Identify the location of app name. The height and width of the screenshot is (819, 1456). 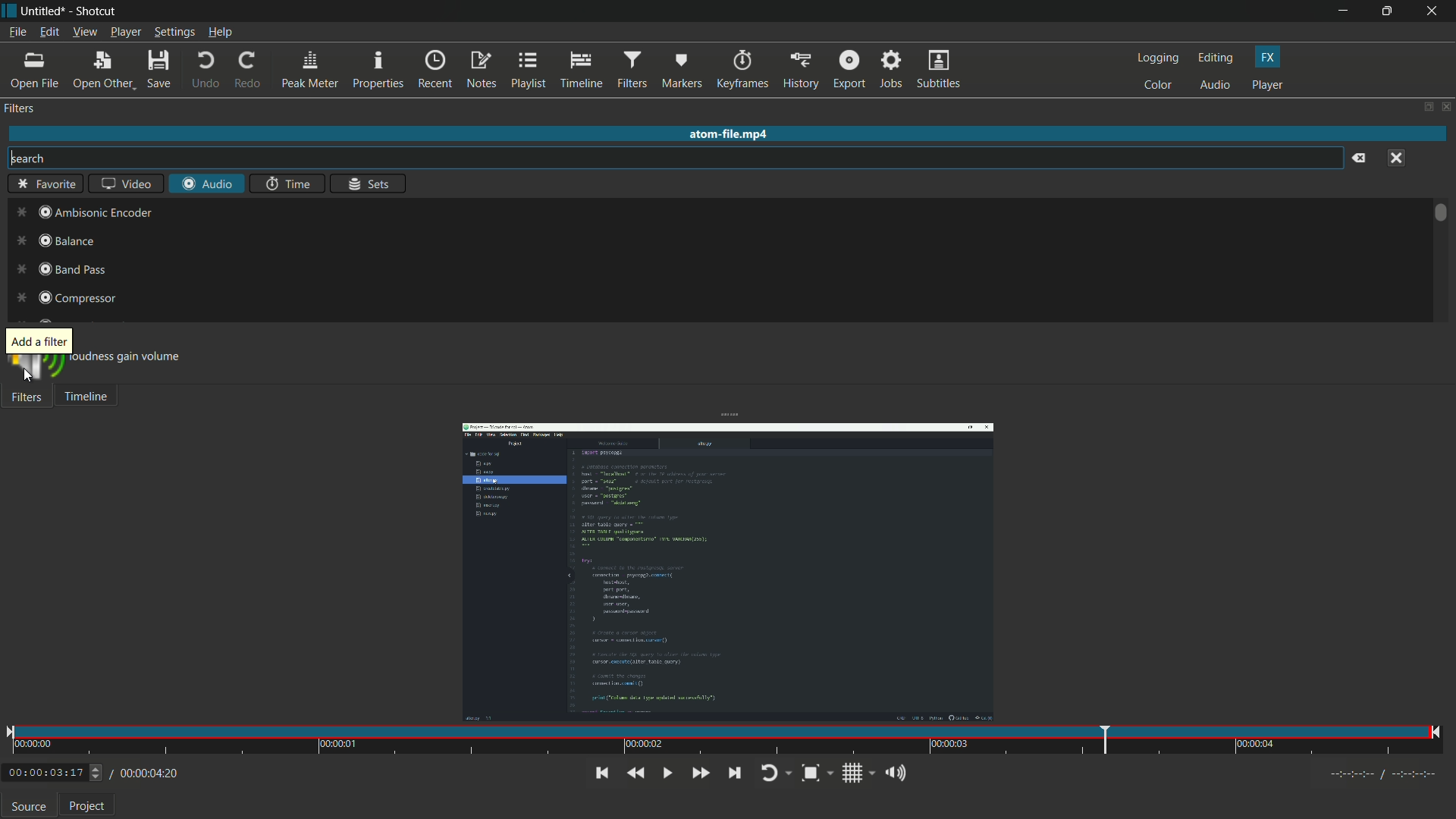
(94, 11).